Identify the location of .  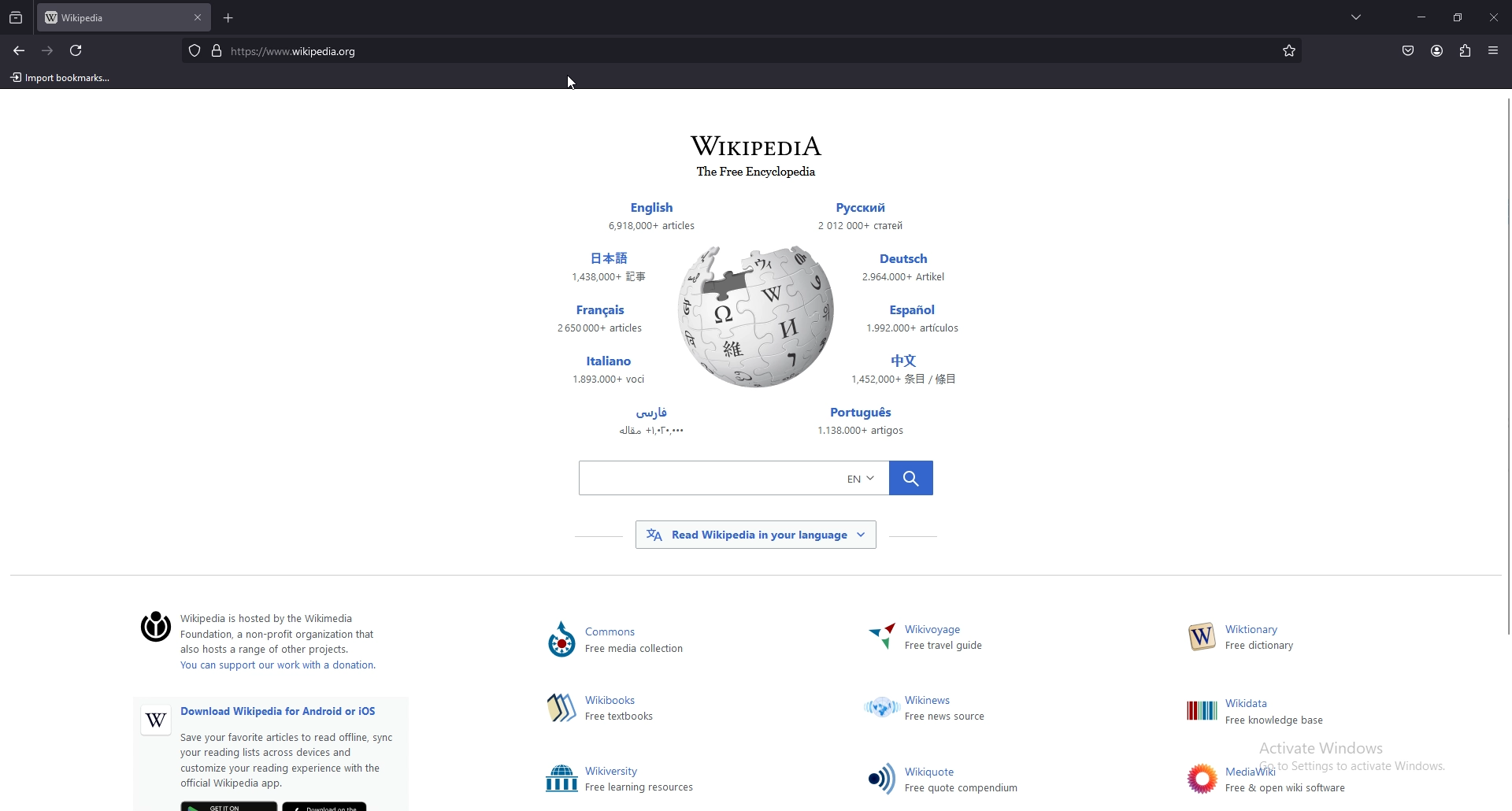
(879, 639).